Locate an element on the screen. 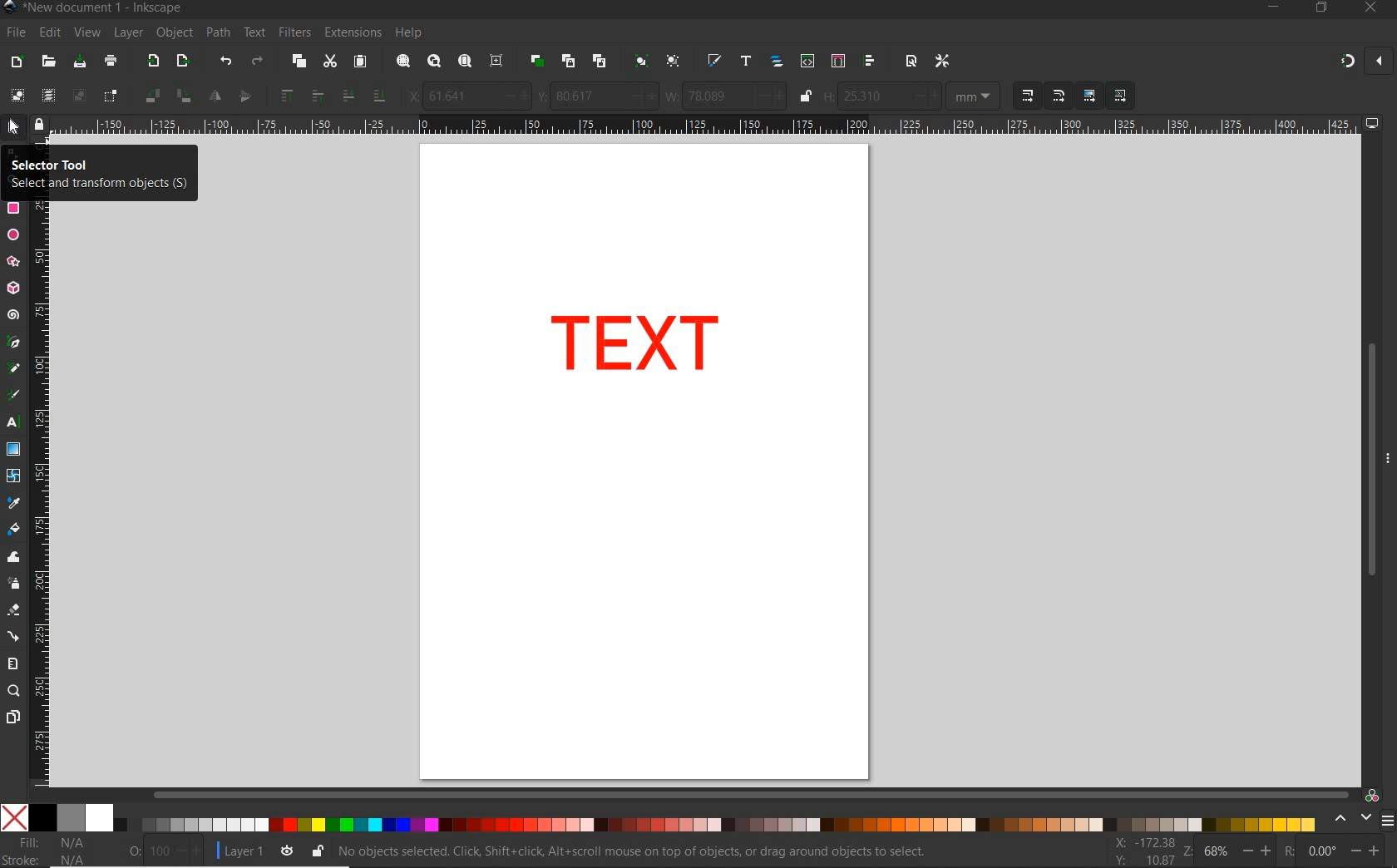  star tool is located at coordinates (13, 262).